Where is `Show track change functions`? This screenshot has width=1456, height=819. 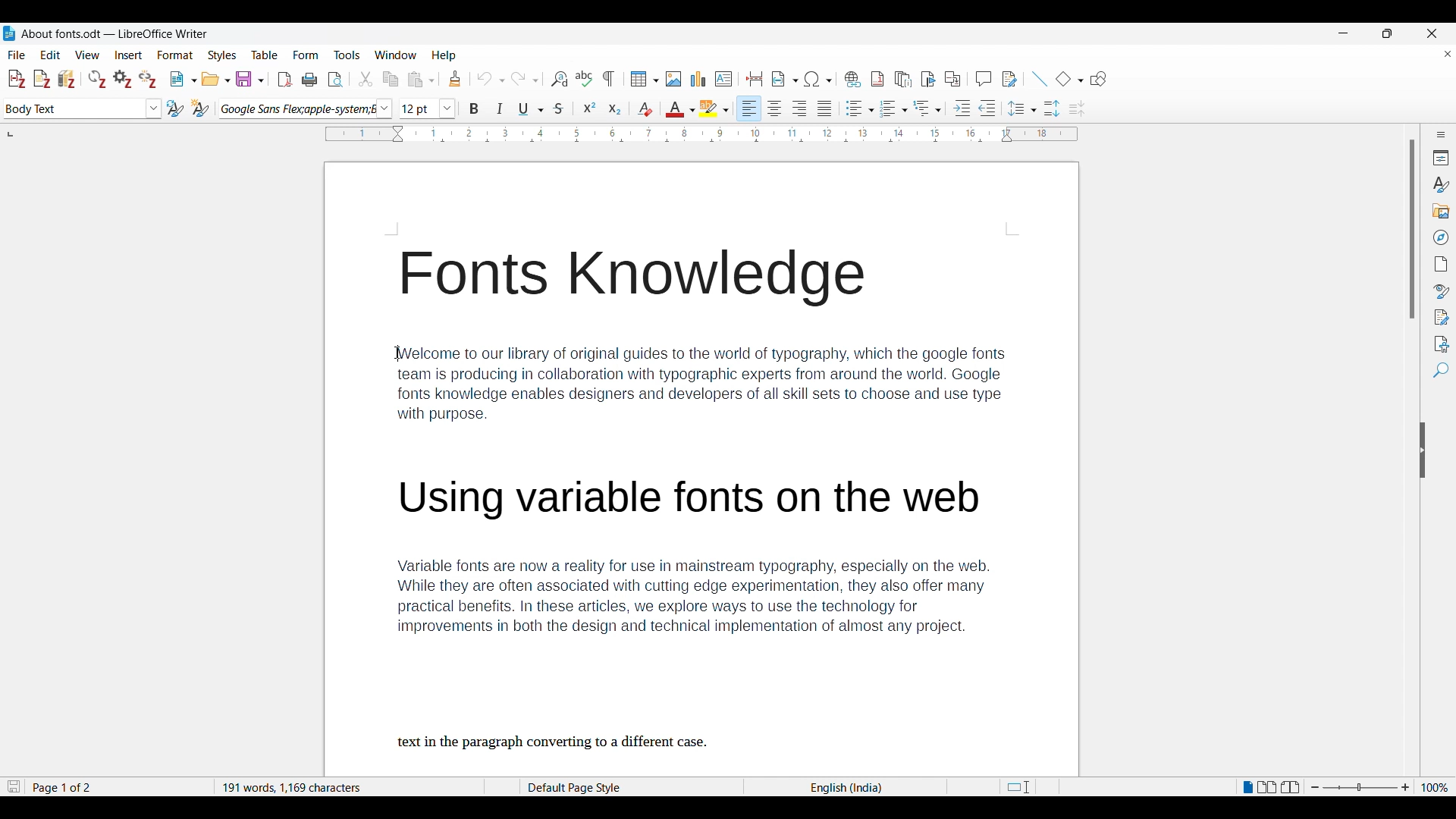 Show track change functions is located at coordinates (1010, 80).